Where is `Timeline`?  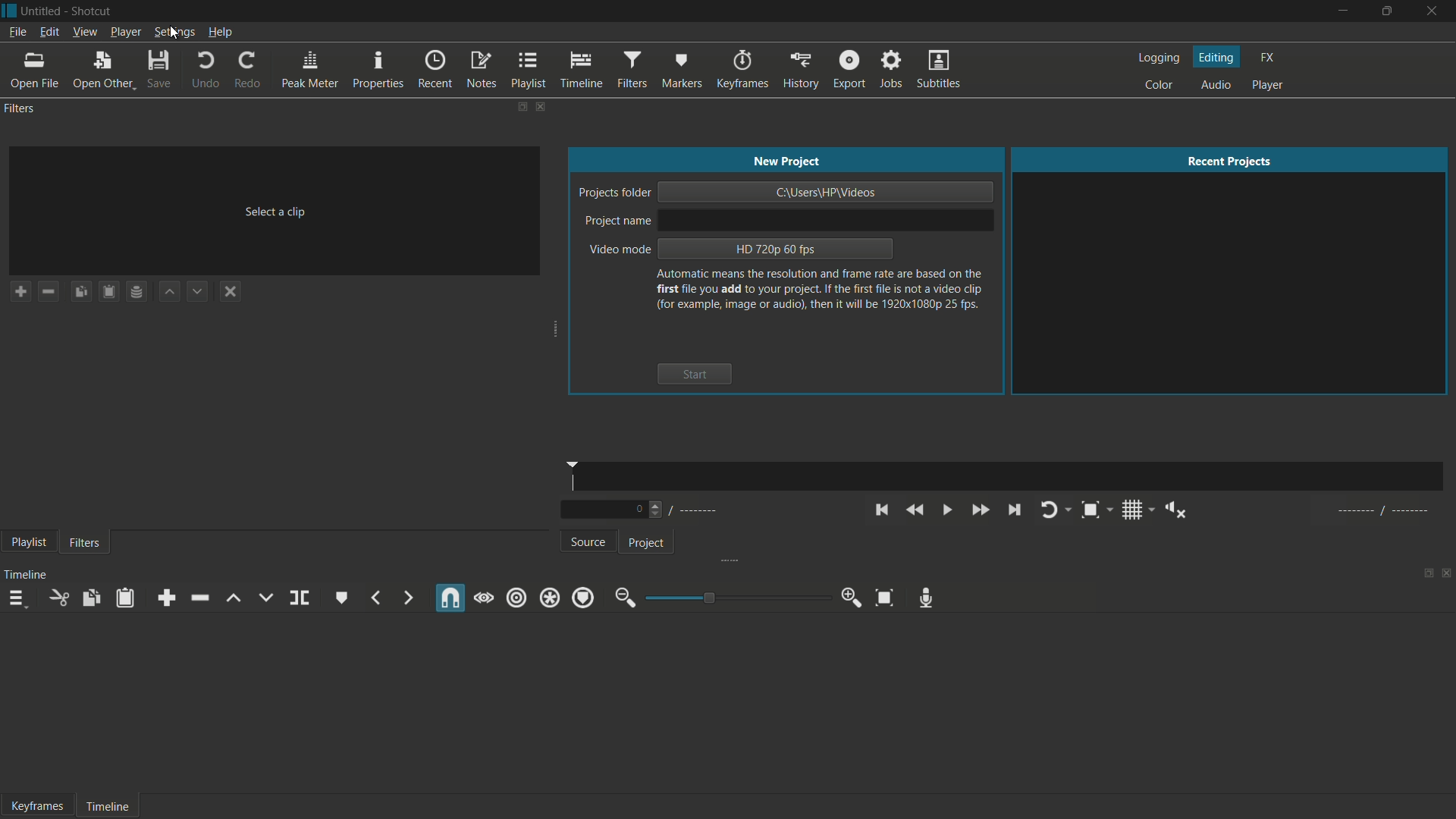 Timeline is located at coordinates (106, 804).